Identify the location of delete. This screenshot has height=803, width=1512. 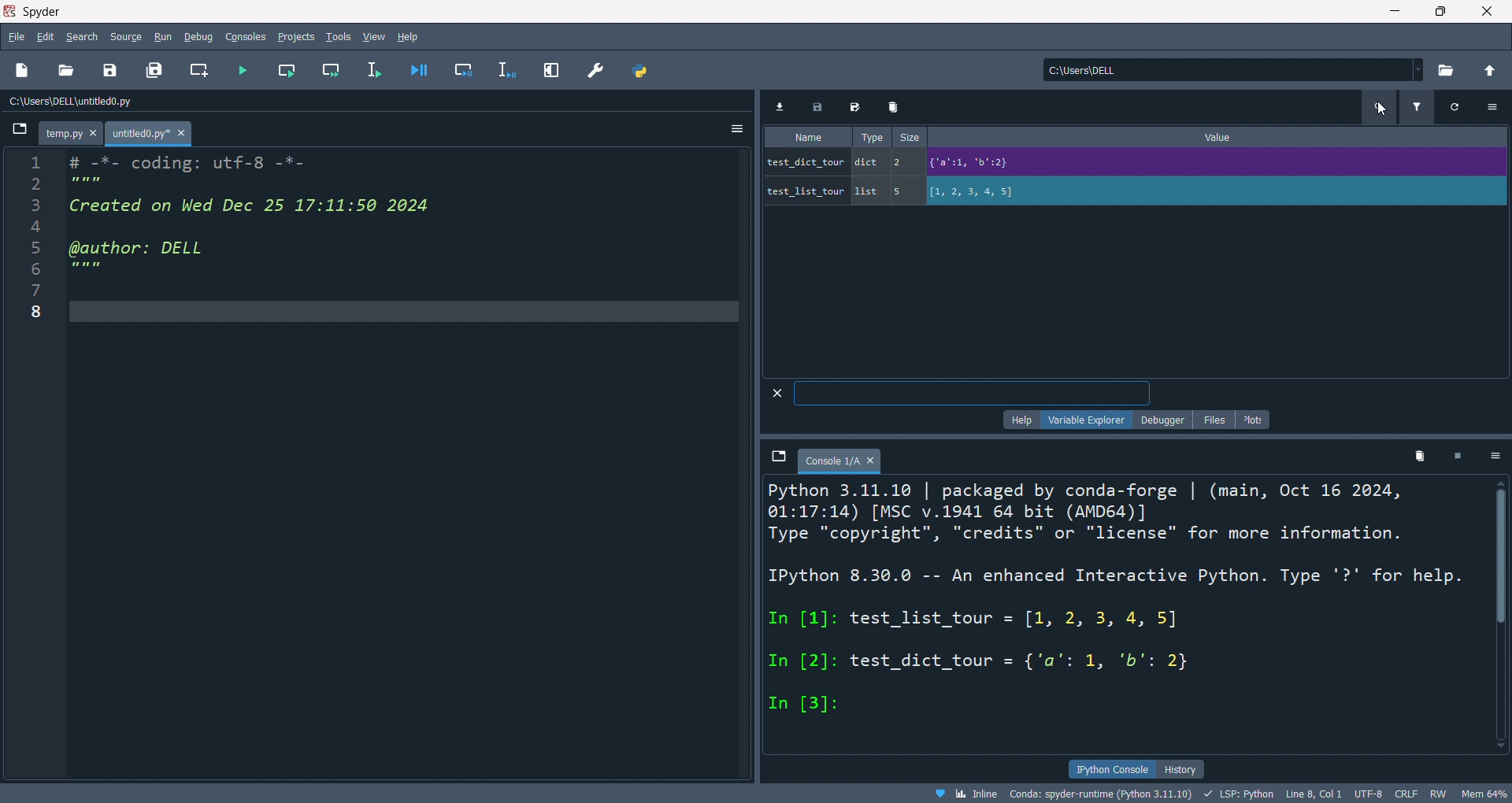
(1421, 455).